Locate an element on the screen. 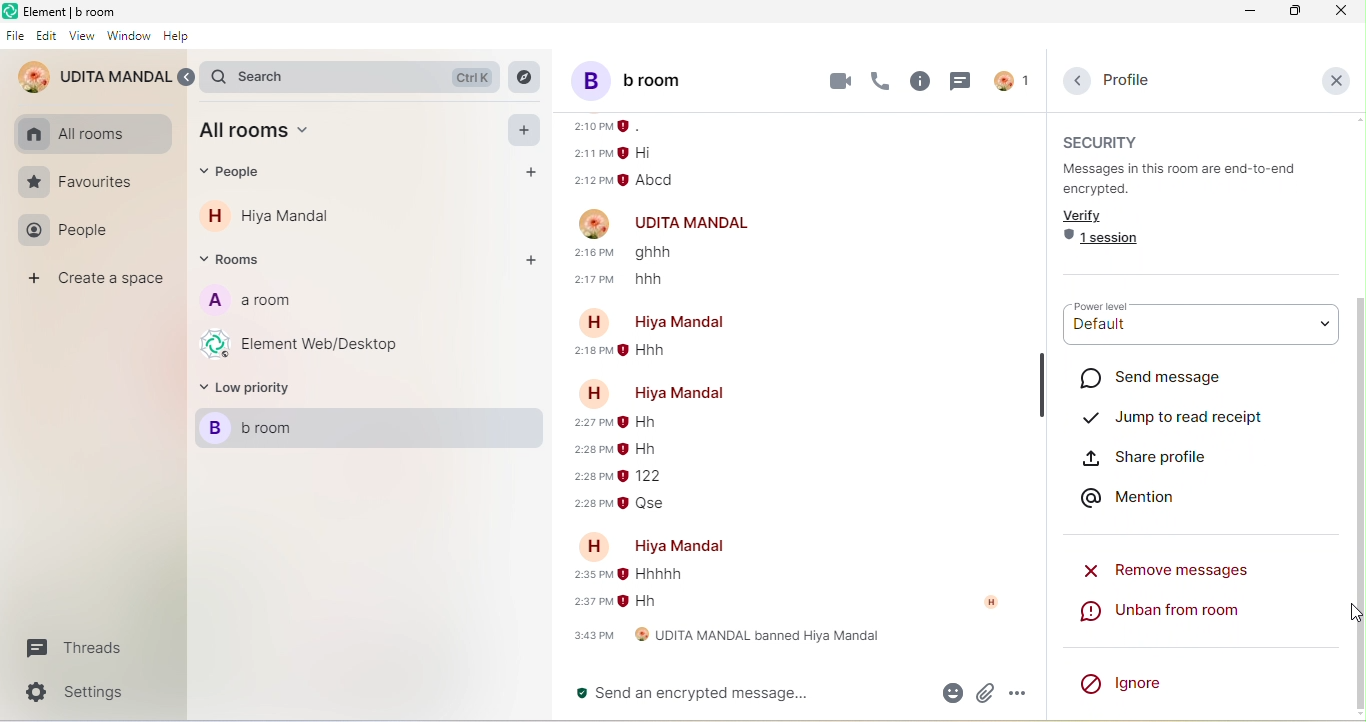 The width and height of the screenshot is (1366, 722). add people is located at coordinates (526, 172).